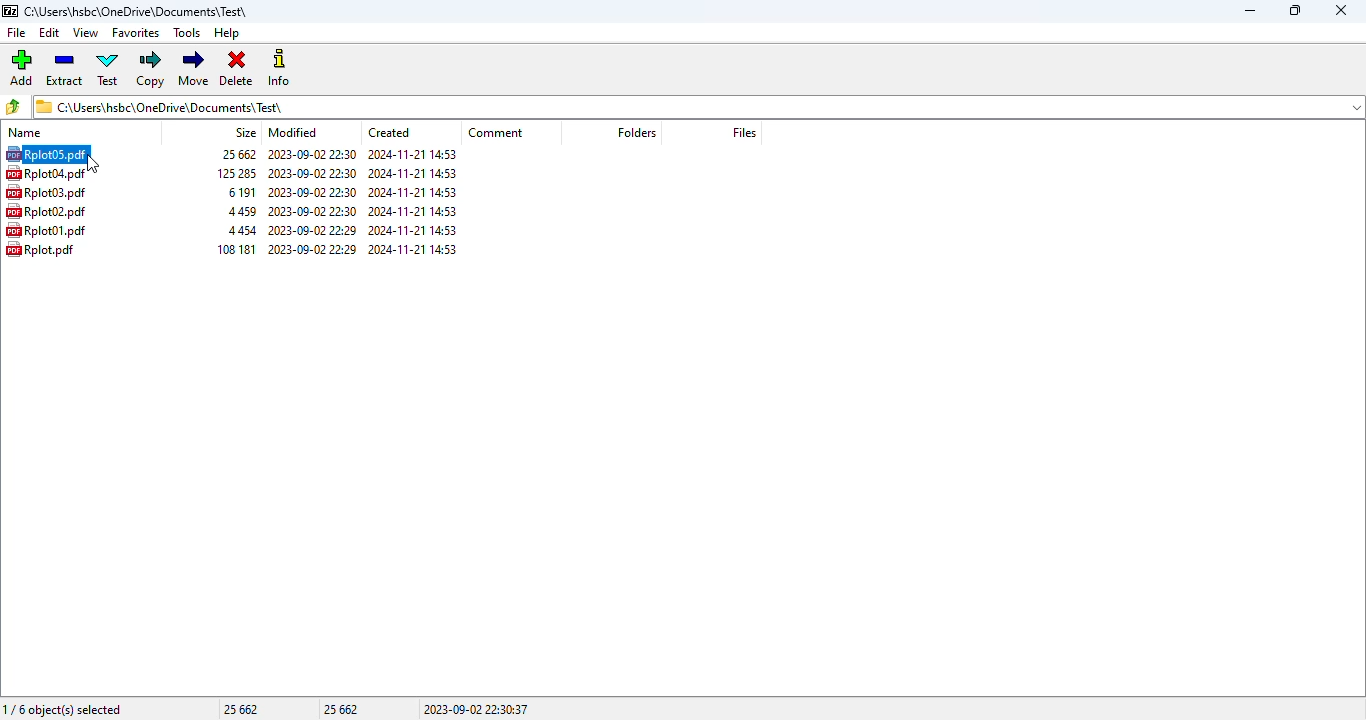  Describe the element at coordinates (22, 67) in the screenshot. I see `add` at that location.